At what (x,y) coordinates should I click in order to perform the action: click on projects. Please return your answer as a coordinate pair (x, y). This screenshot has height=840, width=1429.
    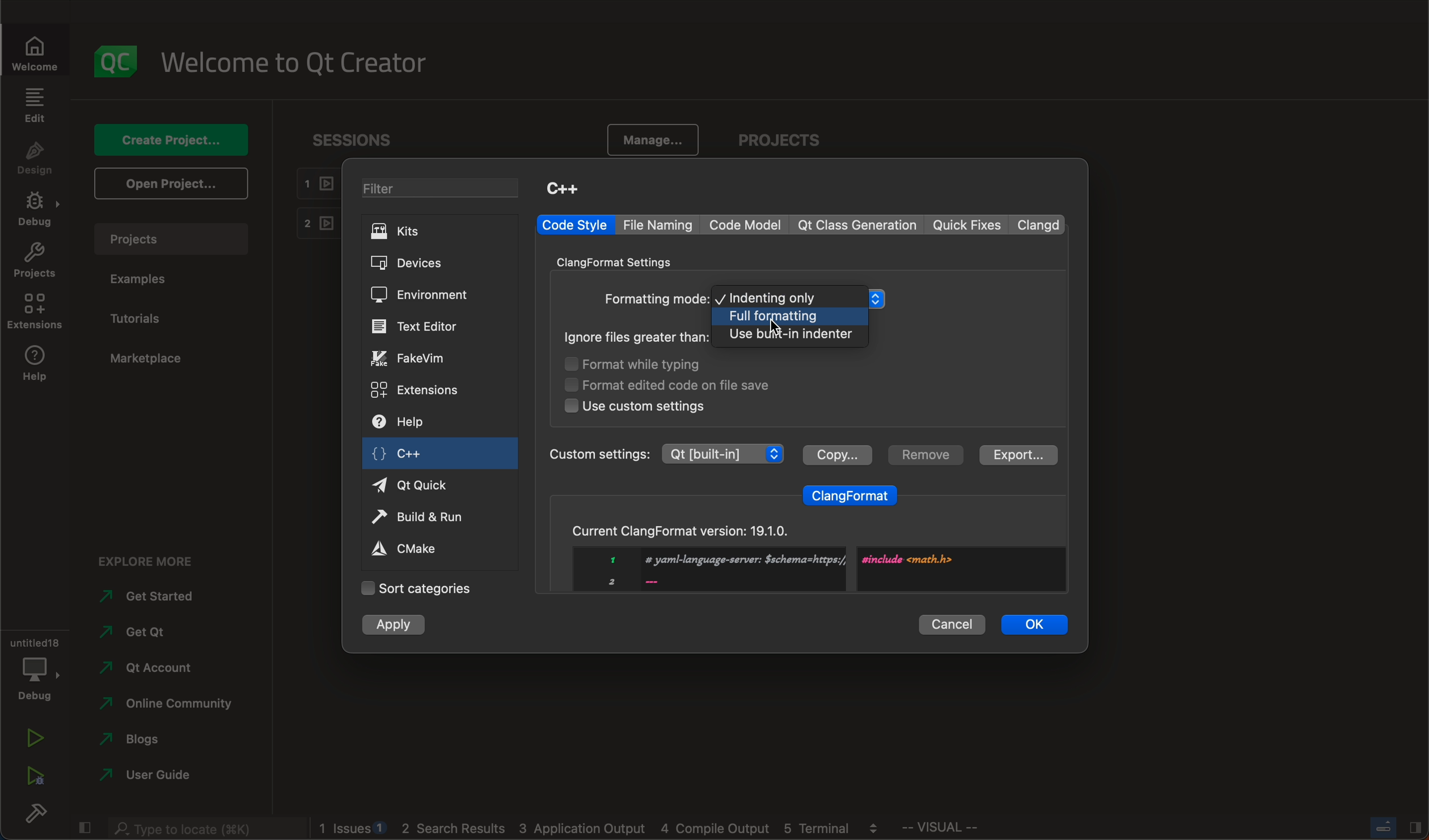
    Looking at the image, I should click on (177, 239).